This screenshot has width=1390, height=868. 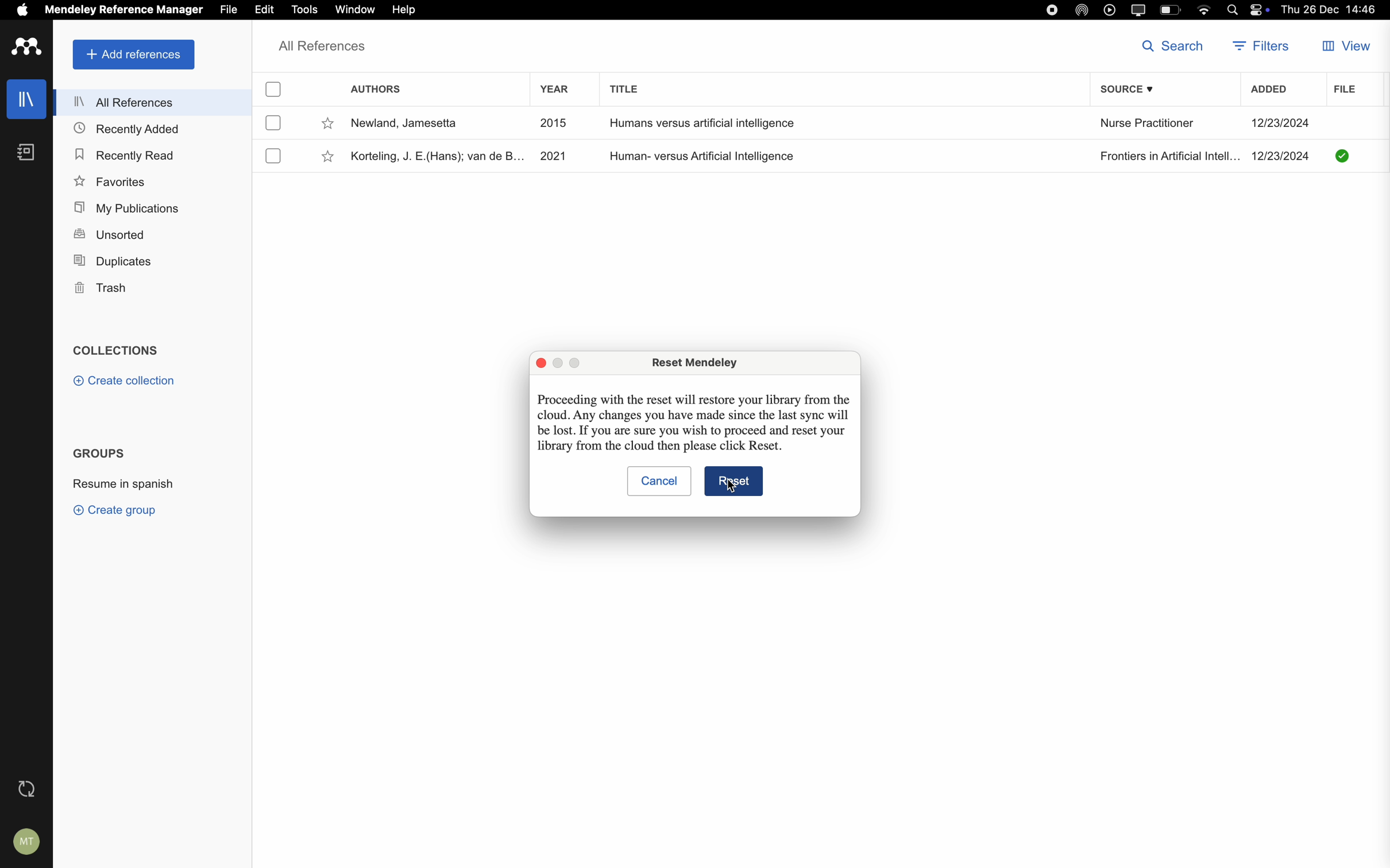 What do you see at coordinates (694, 362) in the screenshot?
I see `Reset Mendeley` at bounding box center [694, 362].